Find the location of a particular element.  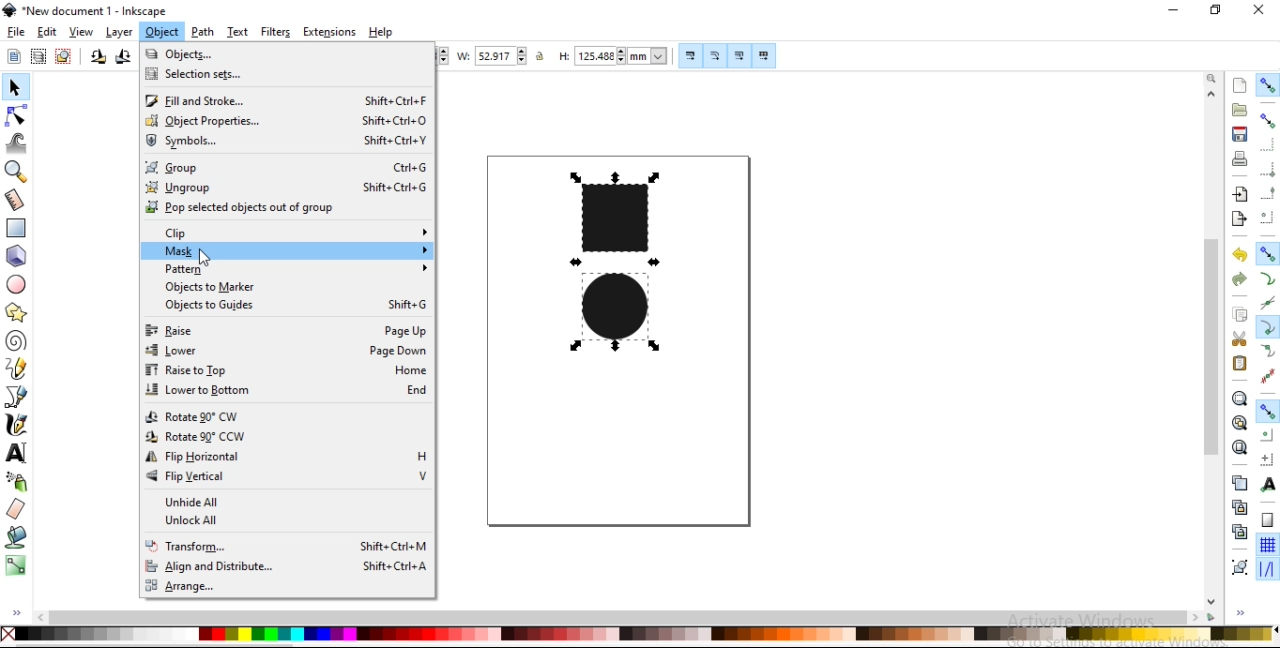

tweak objects by sculpting or painting is located at coordinates (17, 145).